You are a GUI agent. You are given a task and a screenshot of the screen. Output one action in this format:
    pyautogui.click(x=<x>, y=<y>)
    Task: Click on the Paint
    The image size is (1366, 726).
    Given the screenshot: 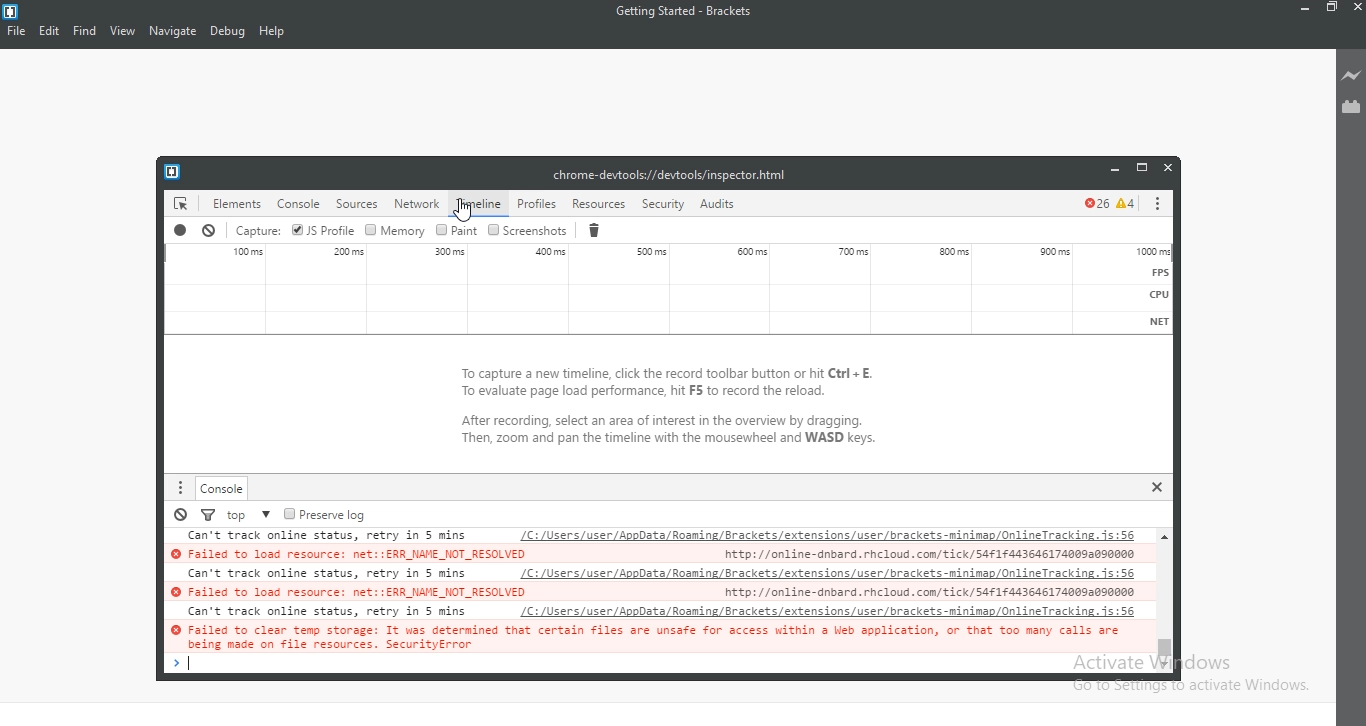 What is the action you would take?
    pyautogui.click(x=457, y=231)
    